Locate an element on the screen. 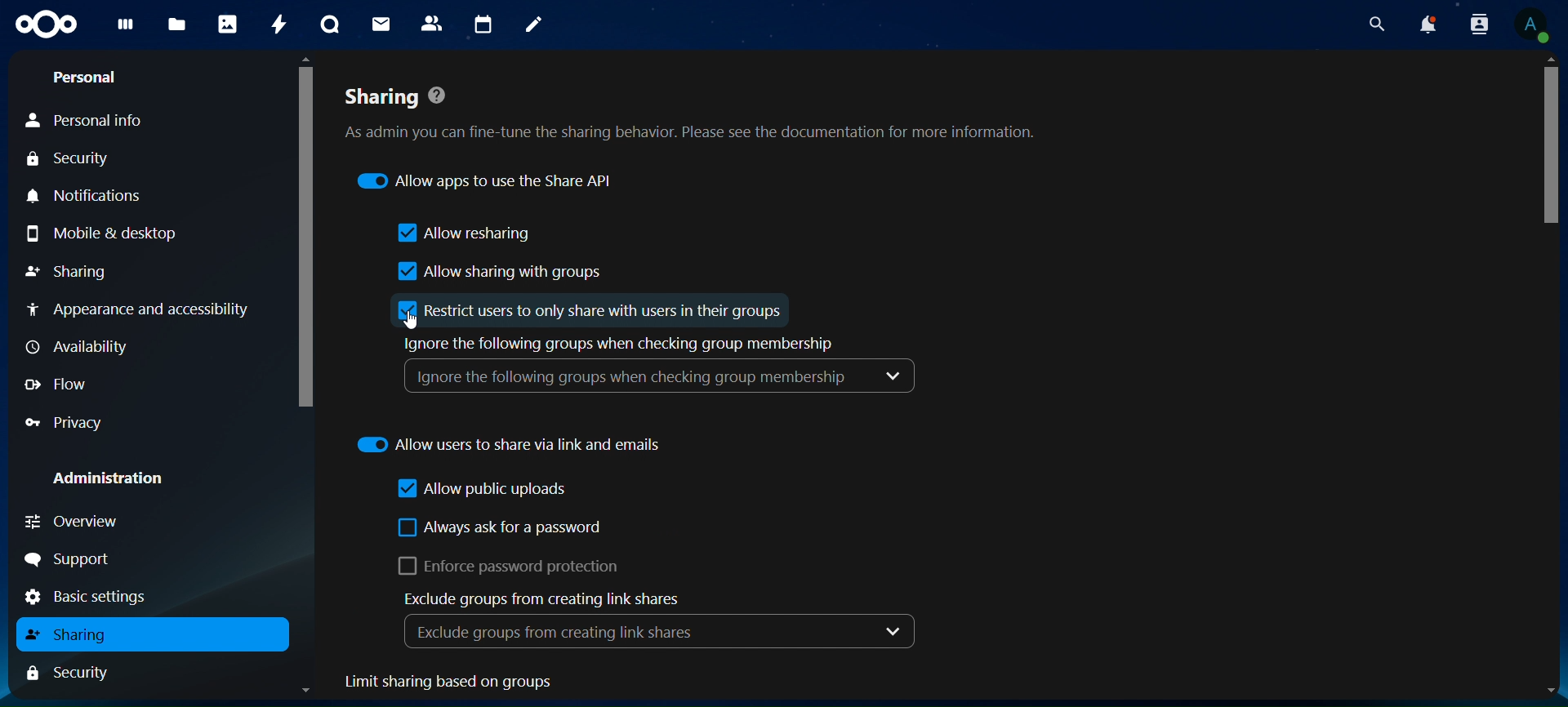  notifications is located at coordinates (1425, 23).